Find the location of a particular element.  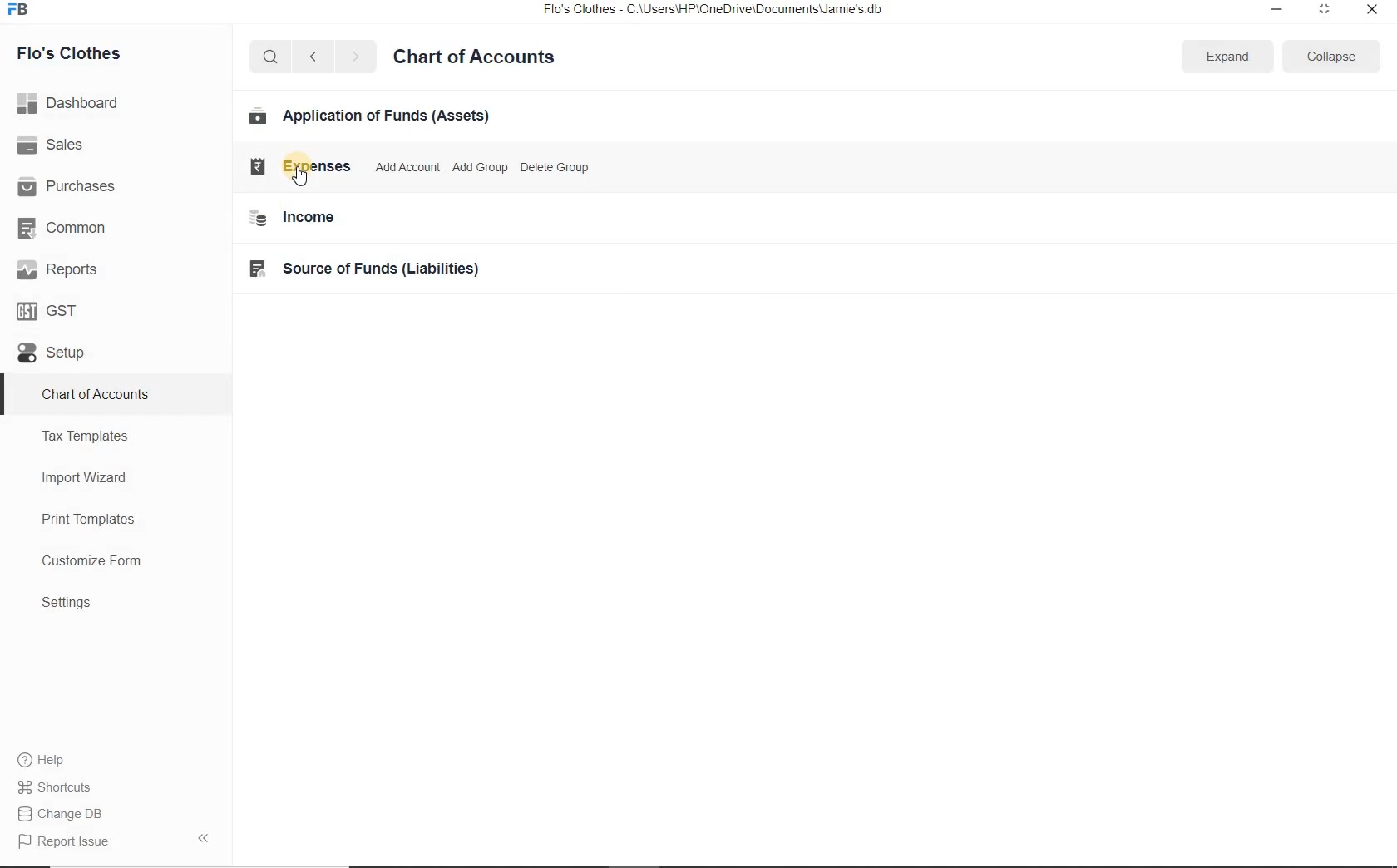

Collapse is located at coordinates (1331, 56).